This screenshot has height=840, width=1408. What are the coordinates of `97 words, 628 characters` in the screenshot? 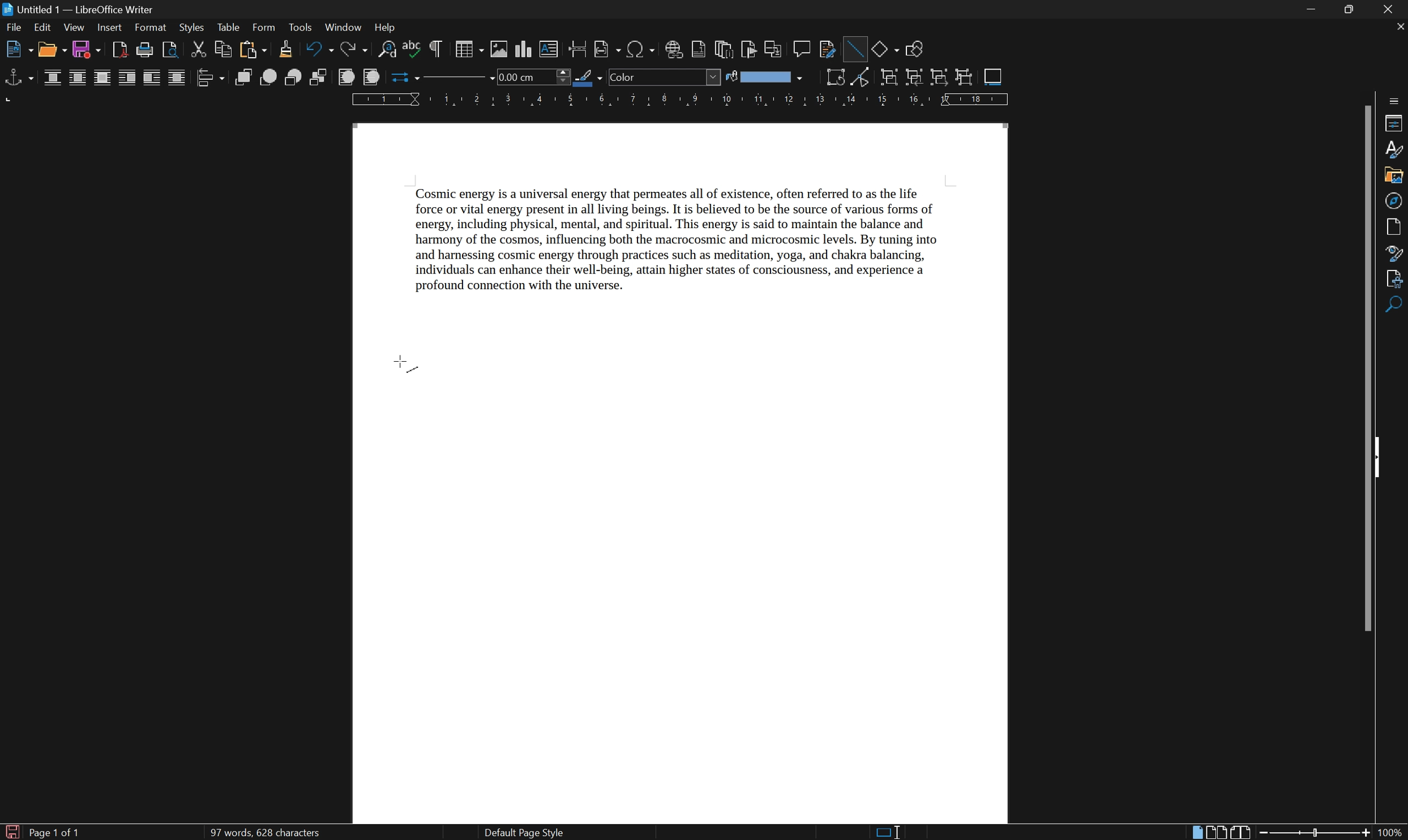 It's located at (264, 833).